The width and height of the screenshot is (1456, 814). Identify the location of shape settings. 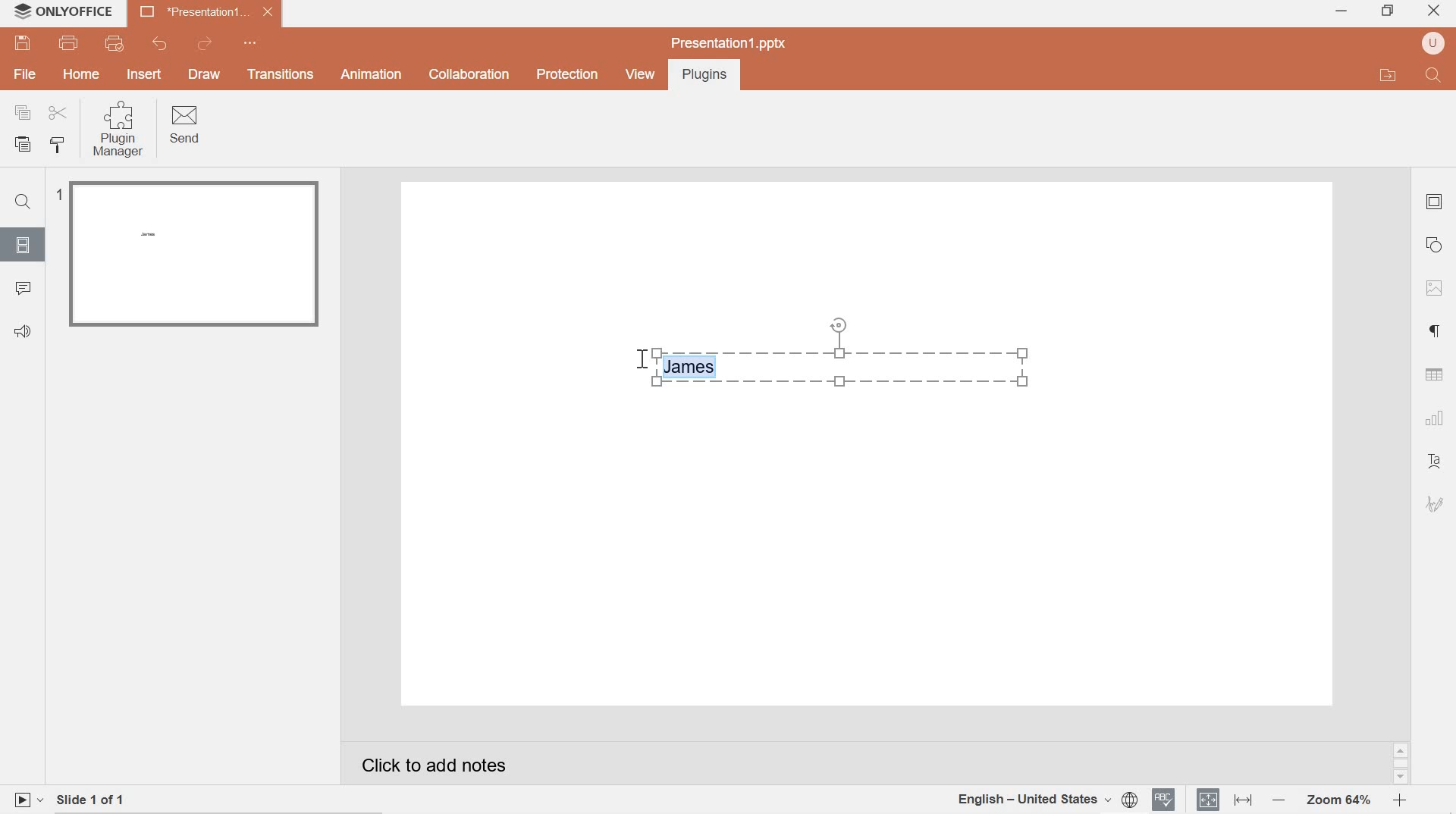
(1436, 244).